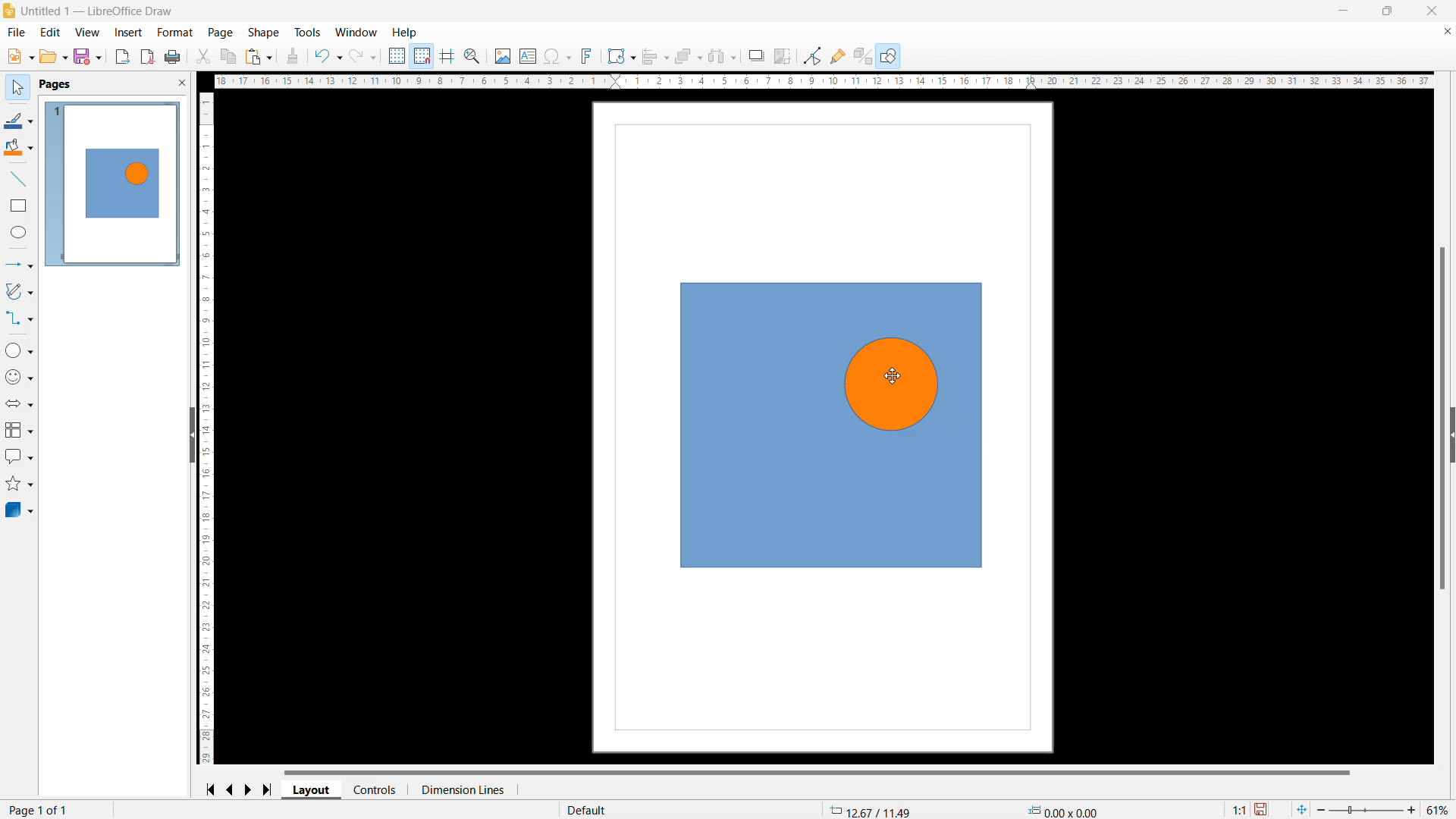 This screenshot has width=1456, height=819. I want to click on dimension lines, so click(460, 789).